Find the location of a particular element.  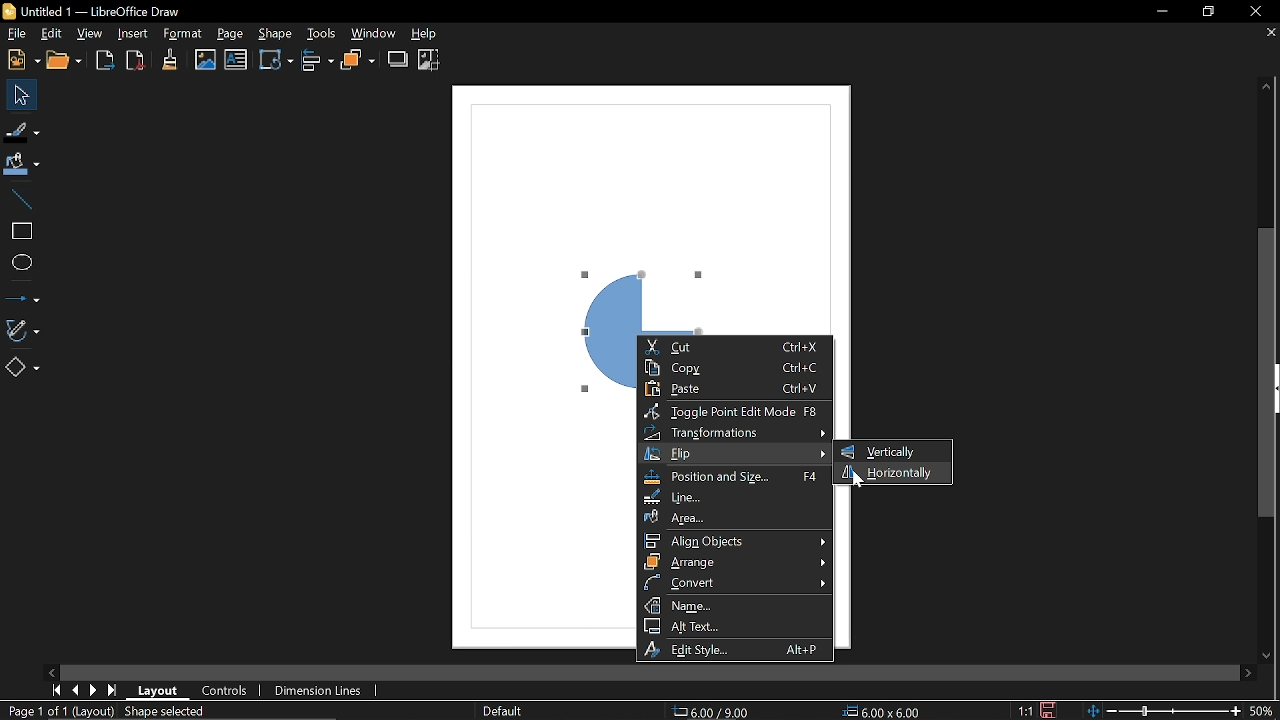

Dimension lines is located at coordinates (318, 690).